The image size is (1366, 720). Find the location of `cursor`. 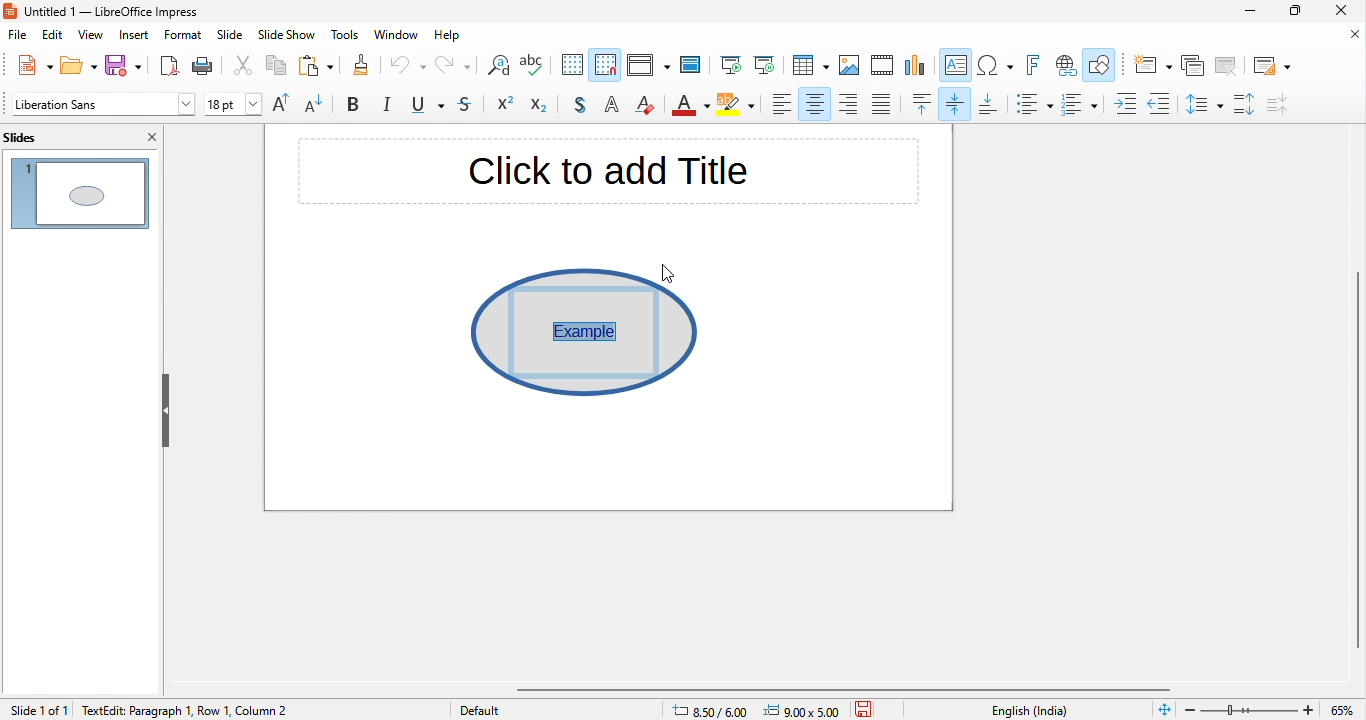

cursor is located at coordinates (669, 271).